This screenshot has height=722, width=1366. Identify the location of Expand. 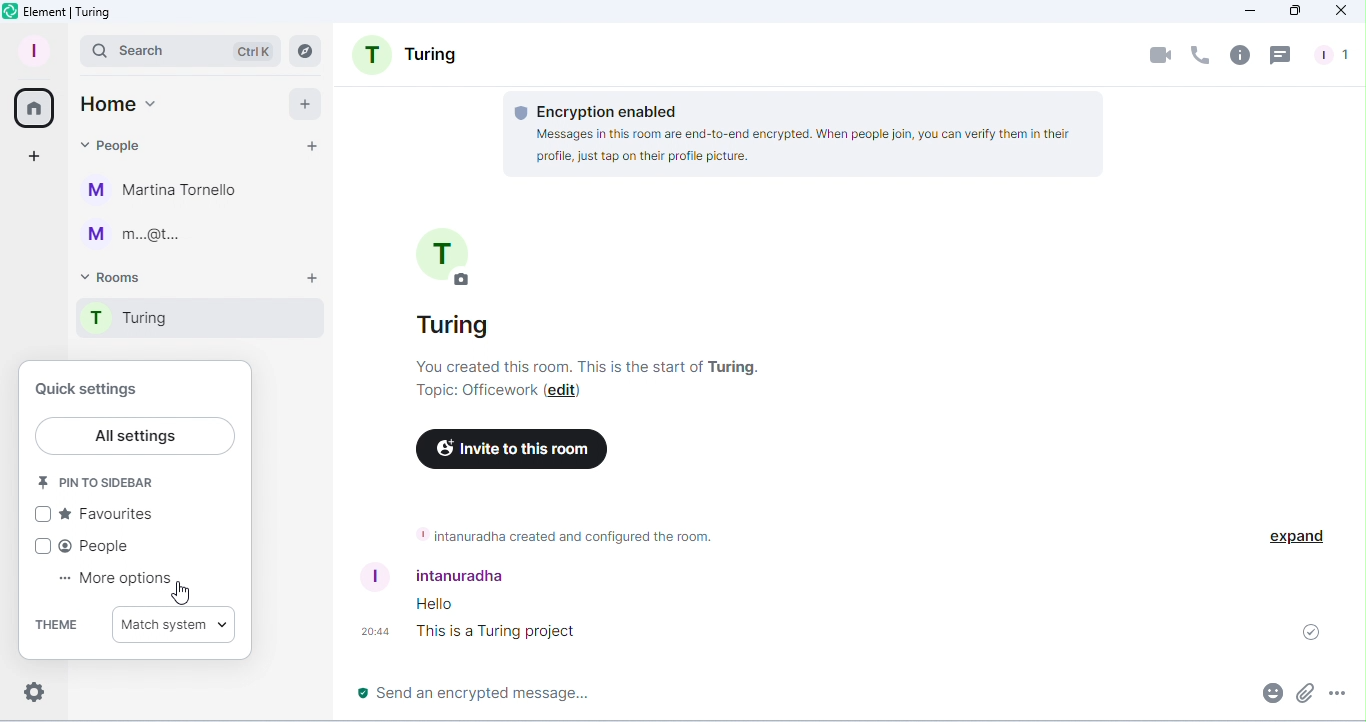
(1295, 536).